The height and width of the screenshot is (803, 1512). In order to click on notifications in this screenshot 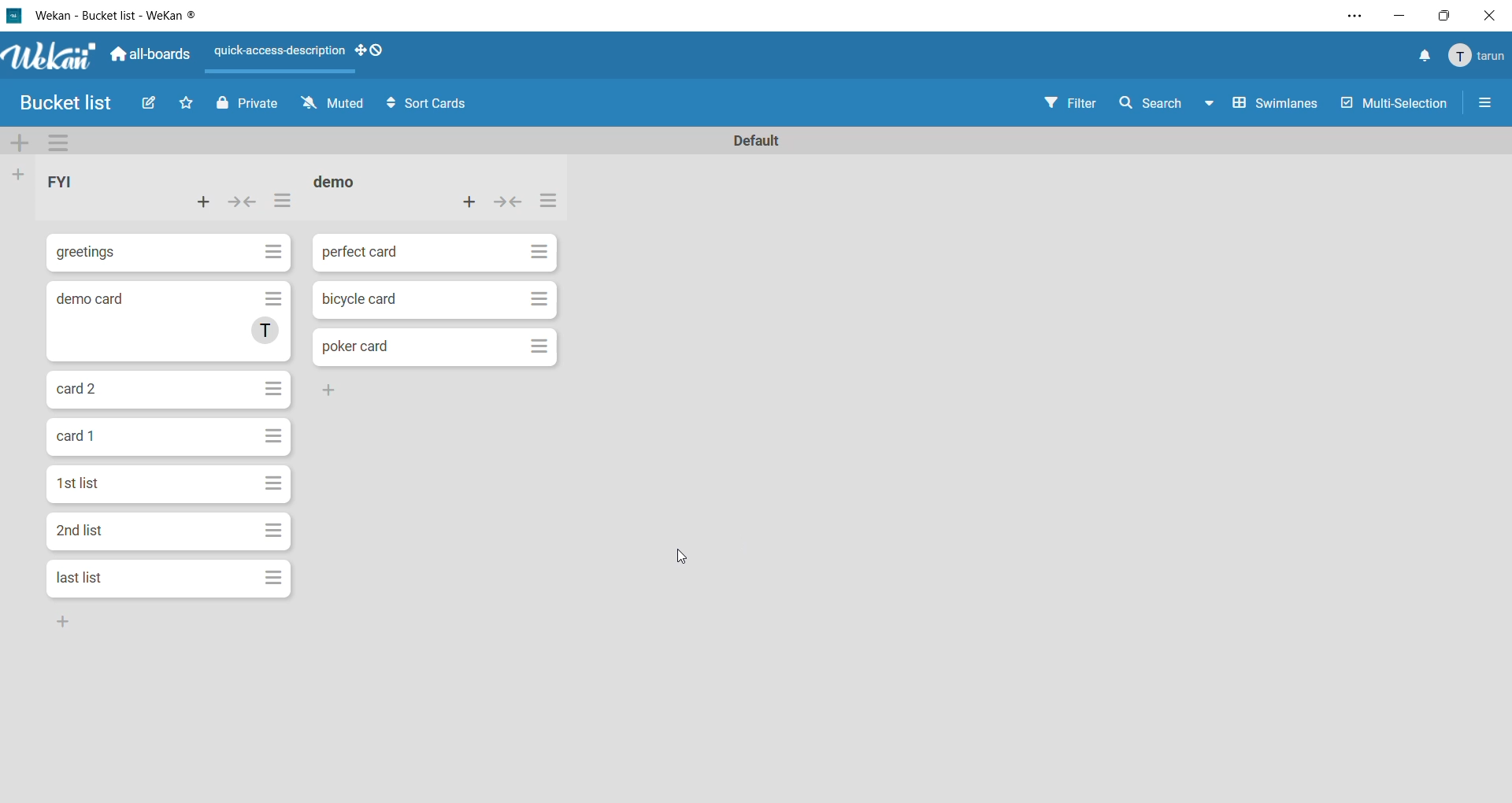, I will do `click(1421, 57)`.